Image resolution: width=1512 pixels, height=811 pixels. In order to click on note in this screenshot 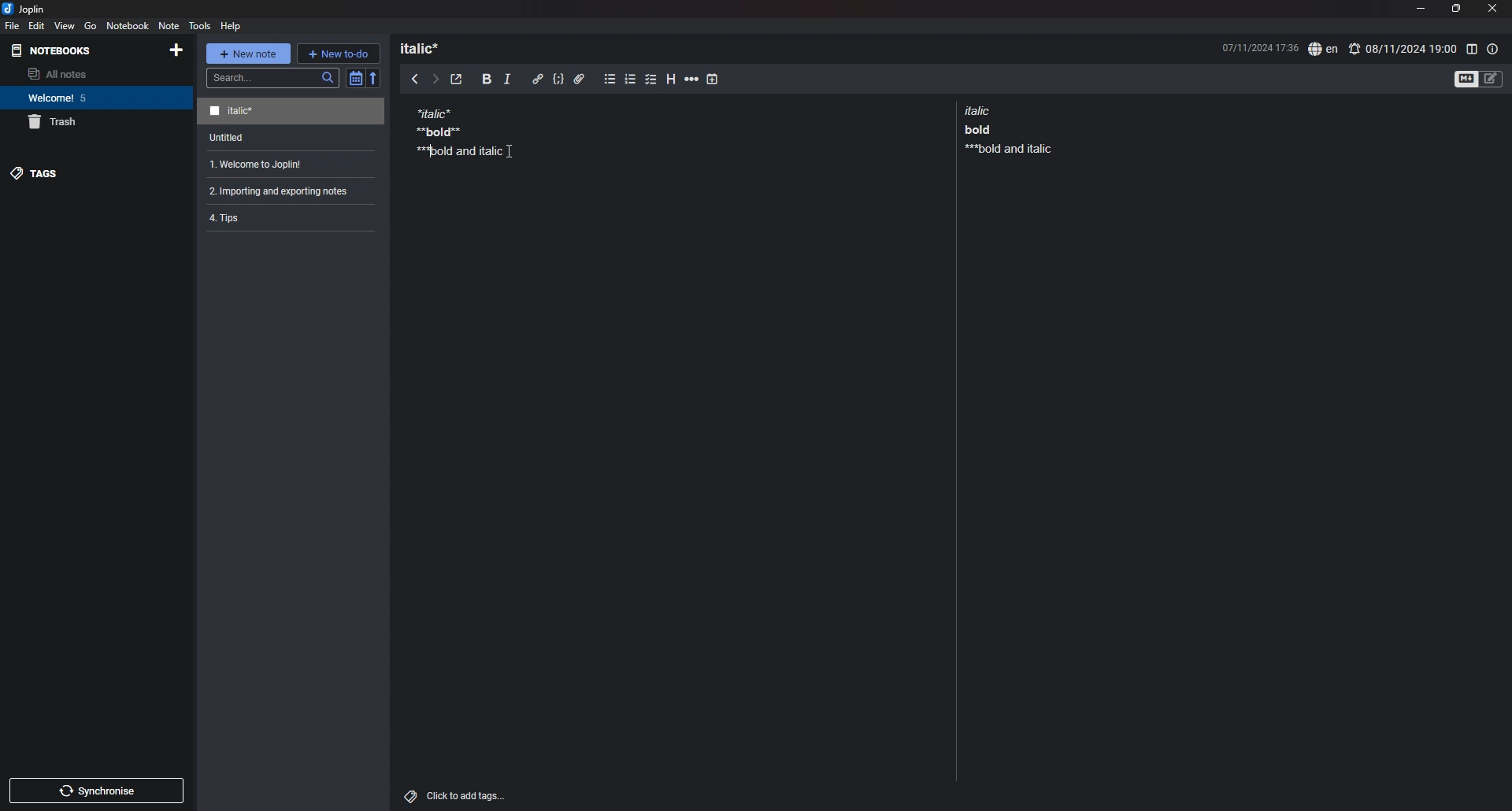, I will do `click(291, 112)`.